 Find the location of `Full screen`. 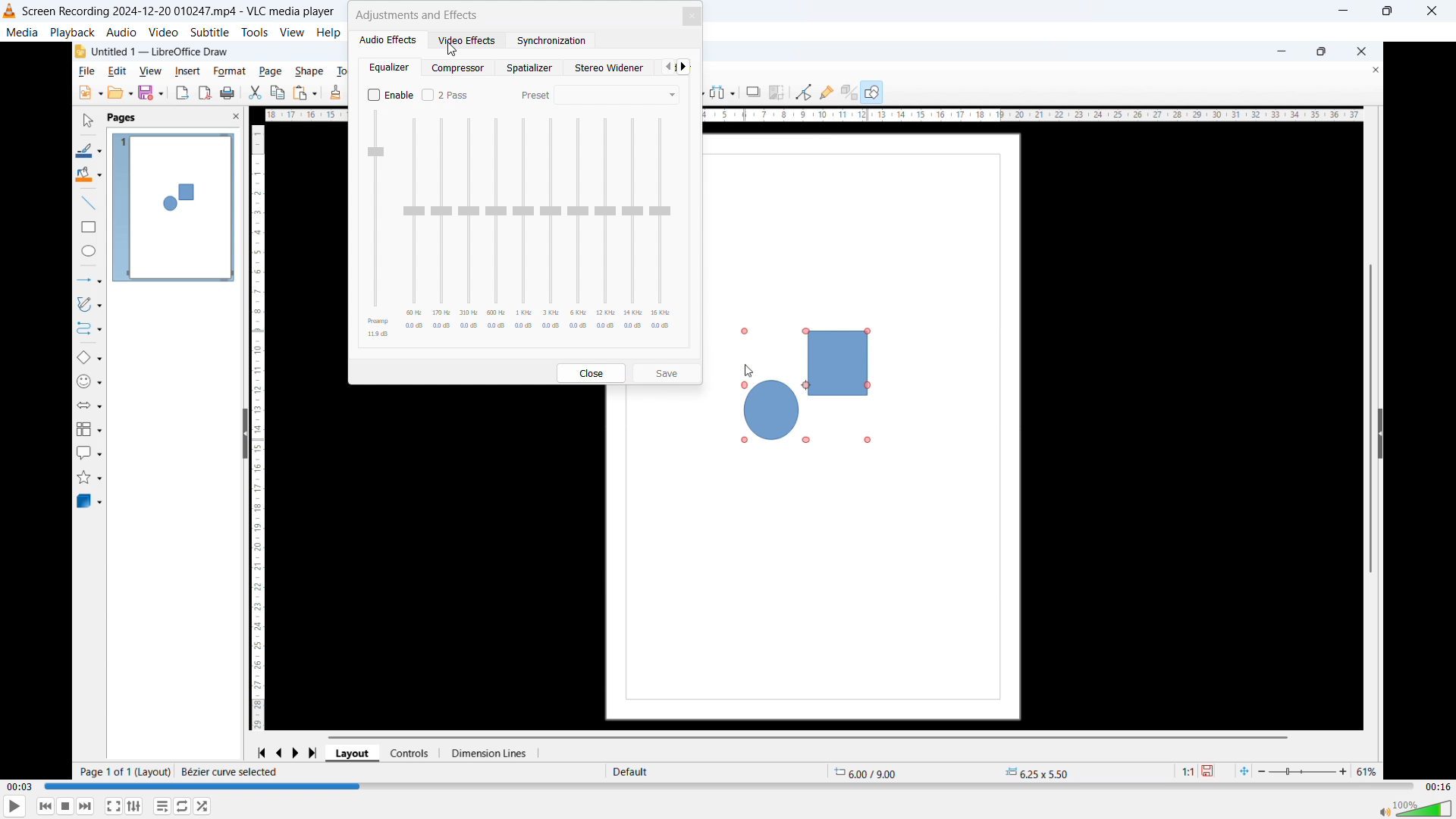

Full screen is located at coordinates (114, 806).